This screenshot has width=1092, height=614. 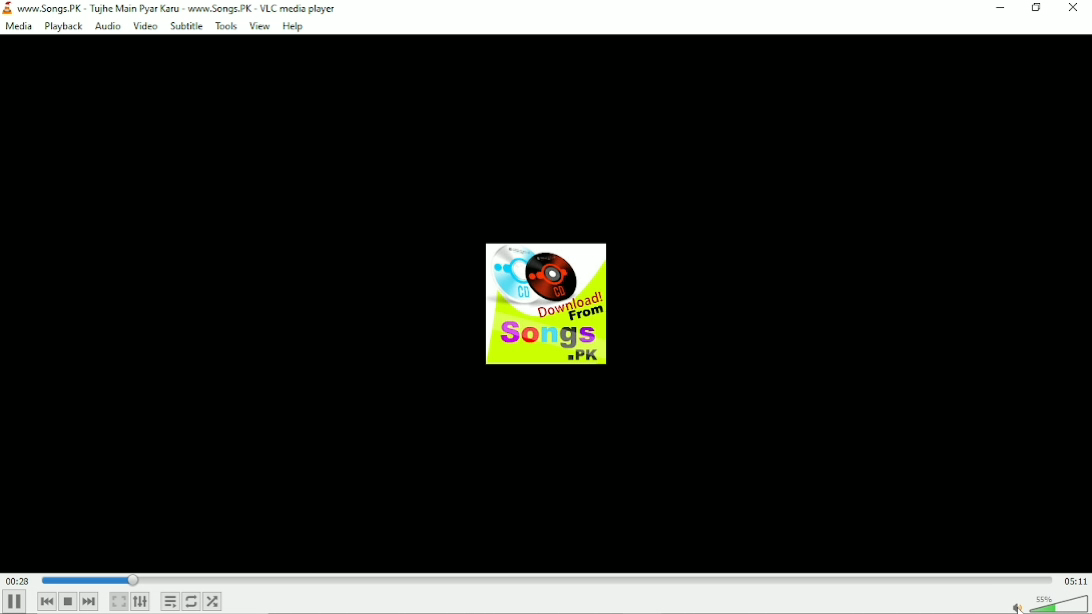 I want to click on Audio track image, so click(x=548, y=304).